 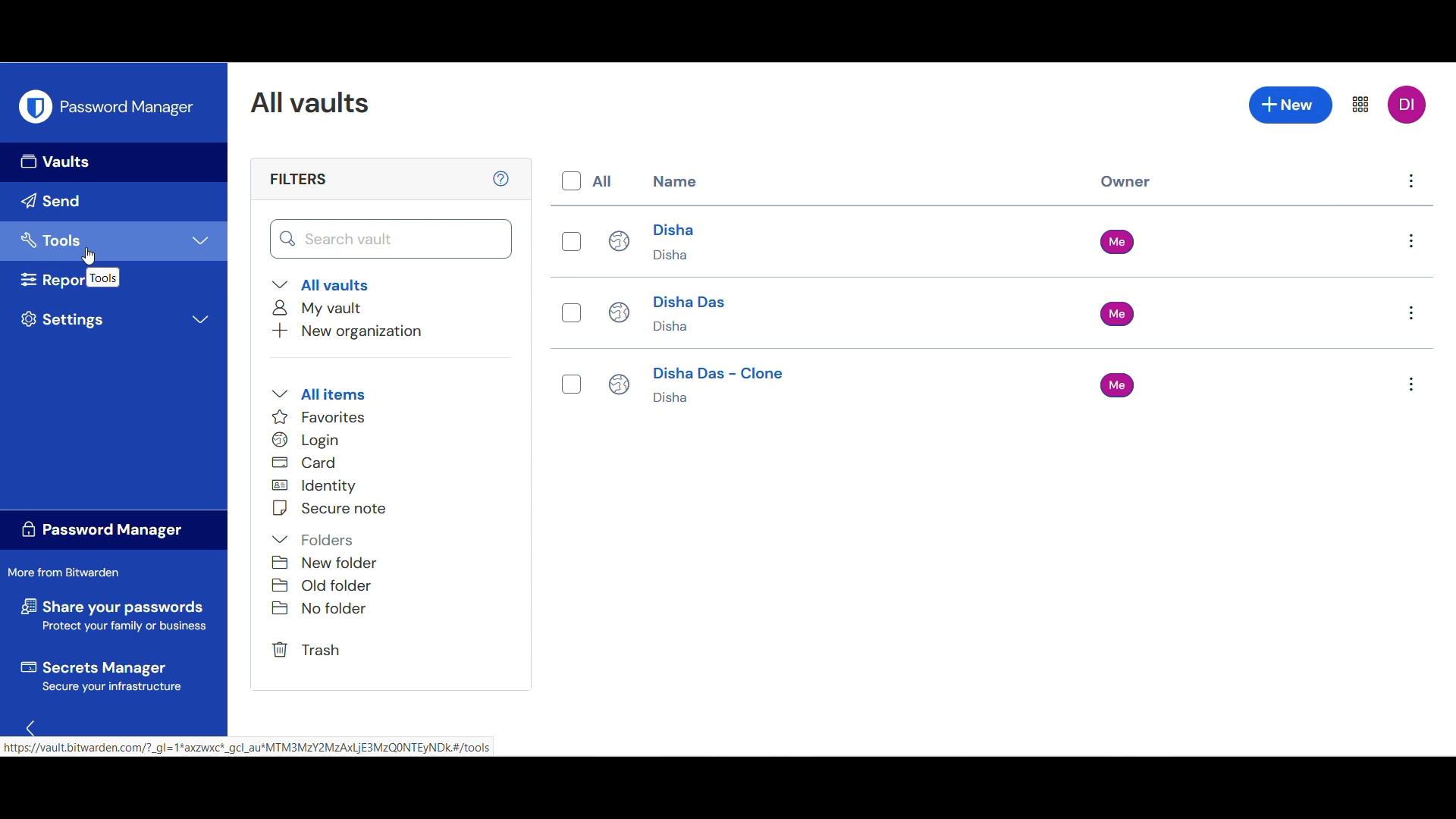 What do you see at coordinates (604, 181) in the screenshot?
I see `Indicates toggle button next to it` at bounding box center [604, 181].